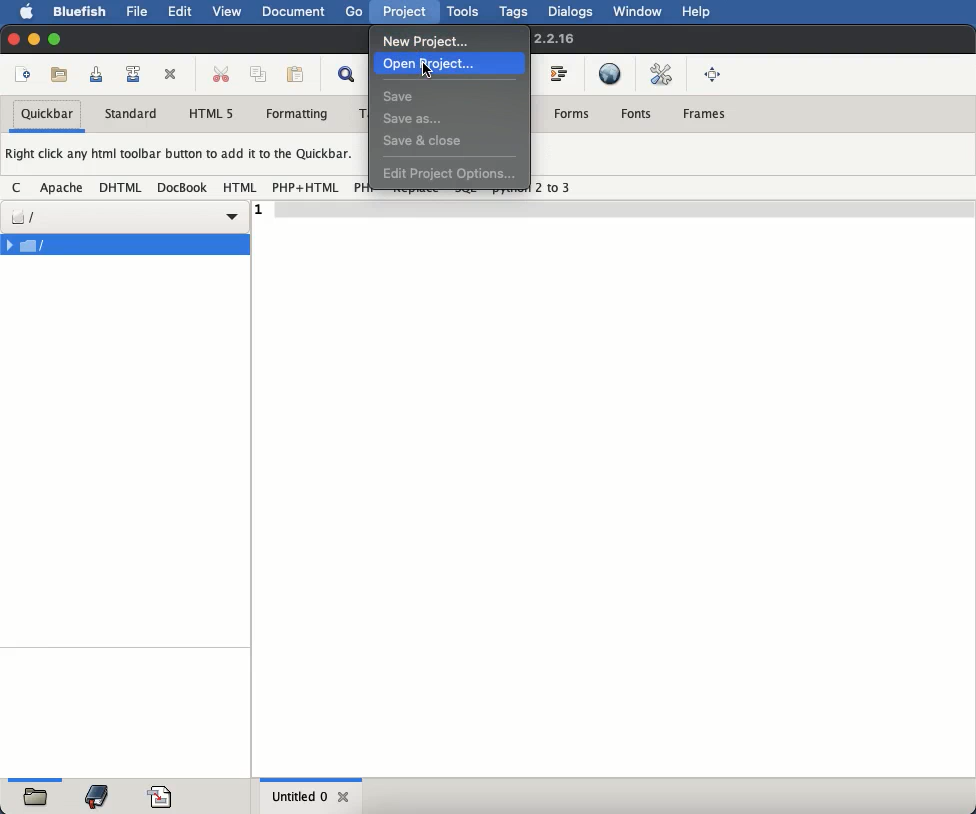  Describe the element at coordinates (20, 188) in the screenshot. I see `c` at that location.